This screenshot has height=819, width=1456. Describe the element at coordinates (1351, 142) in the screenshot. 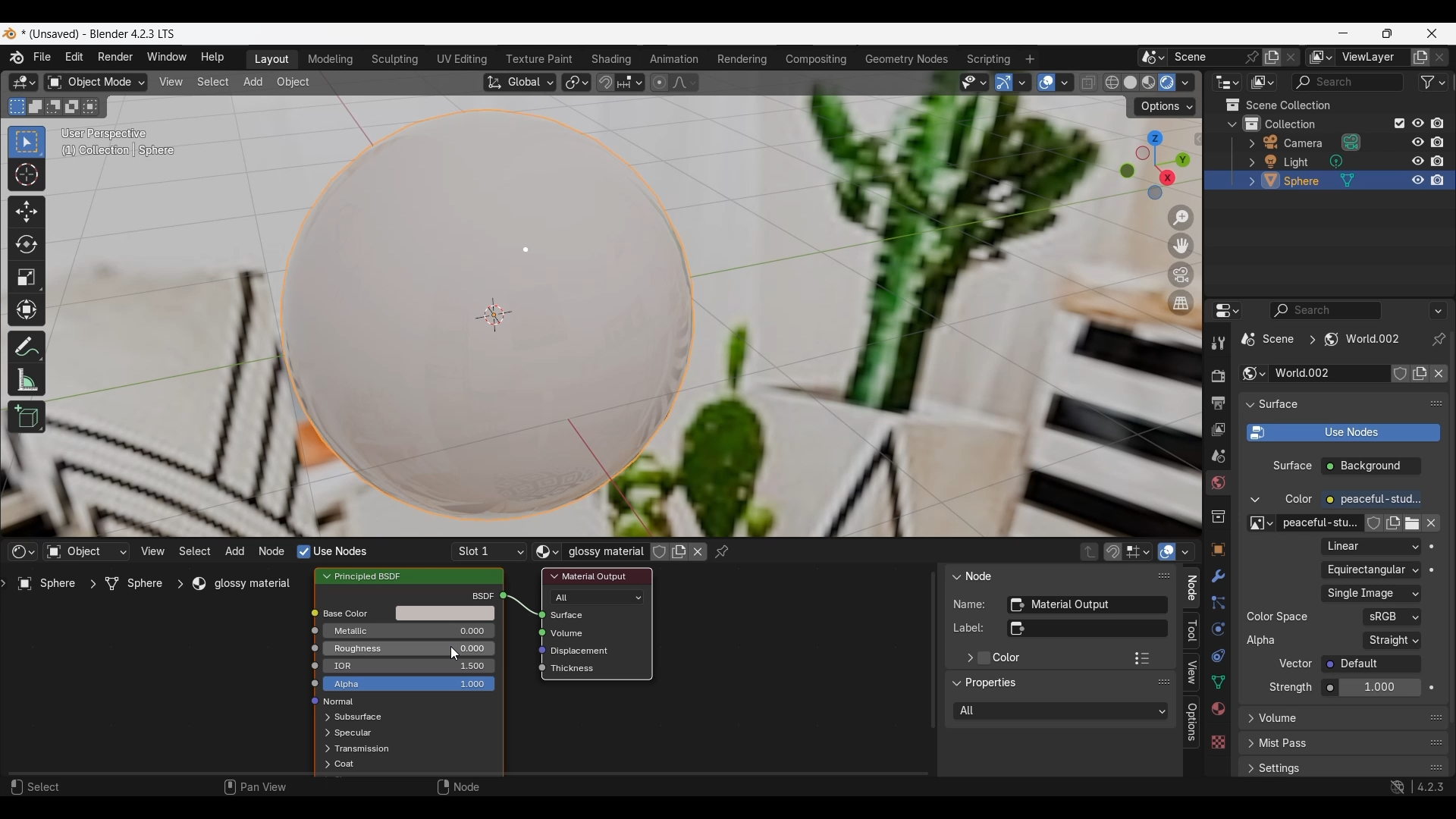

I see `Browse camera data` at that location.